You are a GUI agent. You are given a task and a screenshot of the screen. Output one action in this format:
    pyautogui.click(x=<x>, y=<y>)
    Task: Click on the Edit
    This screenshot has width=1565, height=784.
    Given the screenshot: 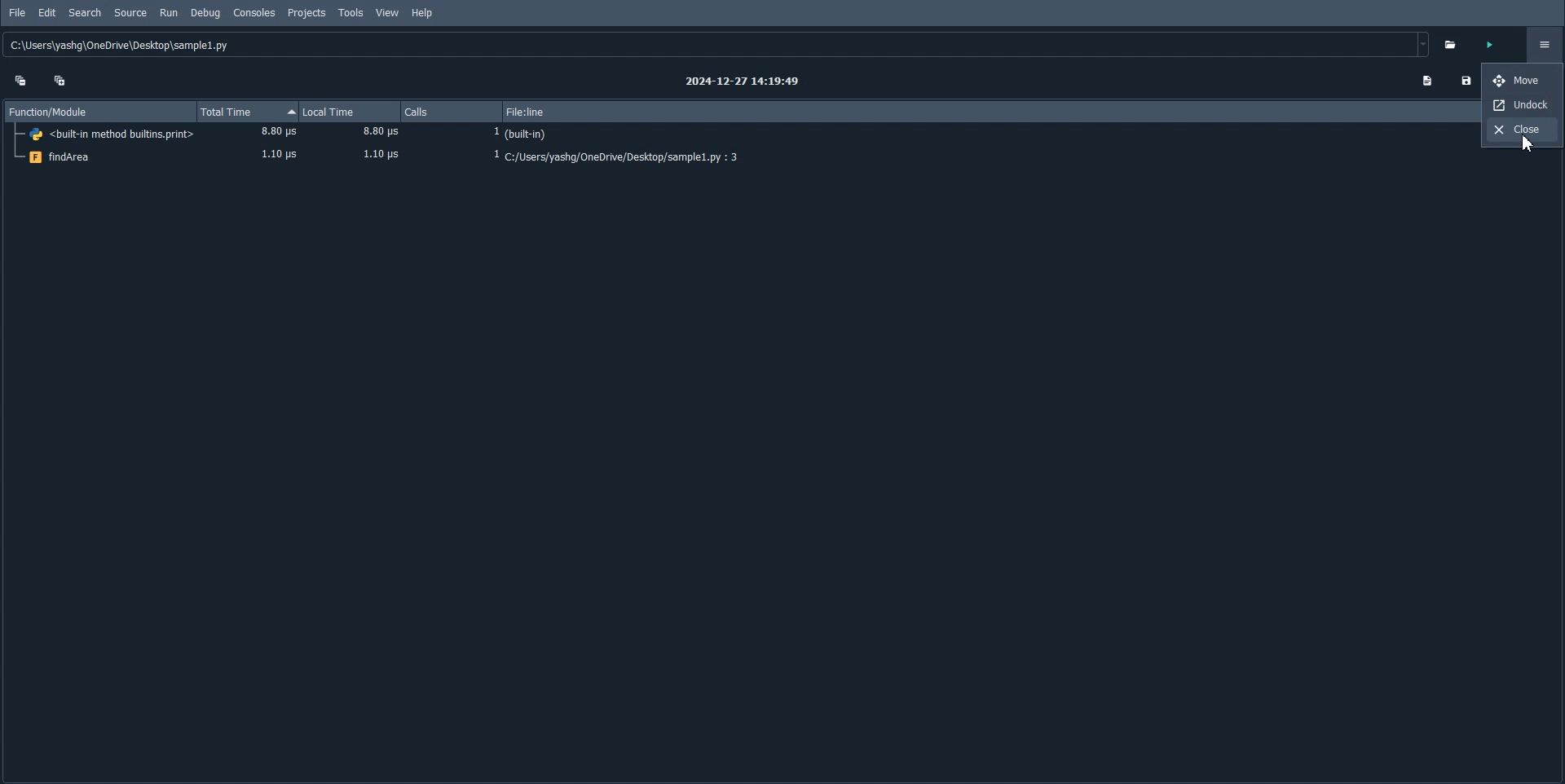 What is the action you would take?
    pyautogui.click(x=47, y=13)
    